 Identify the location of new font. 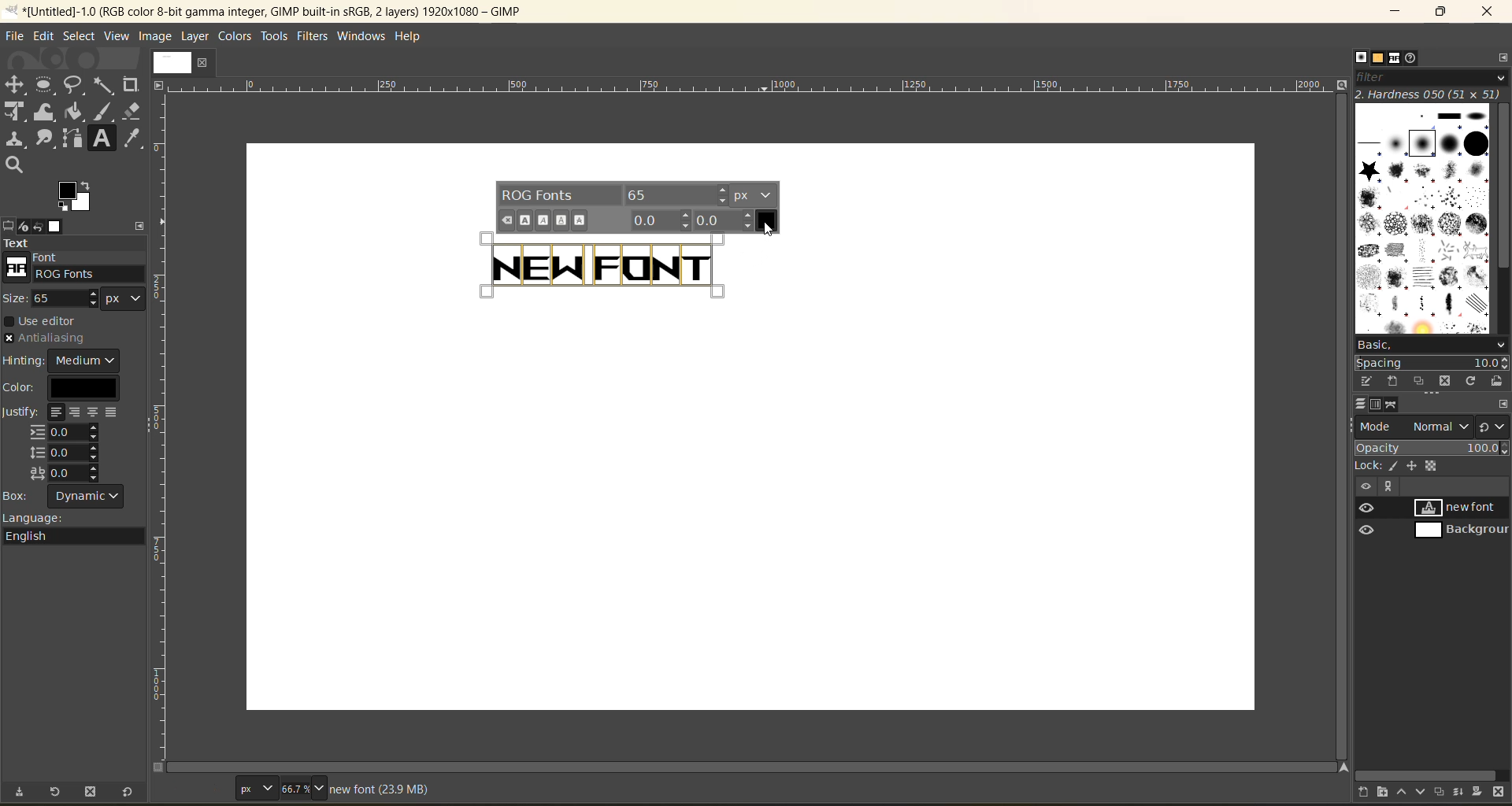
(1462, 507).